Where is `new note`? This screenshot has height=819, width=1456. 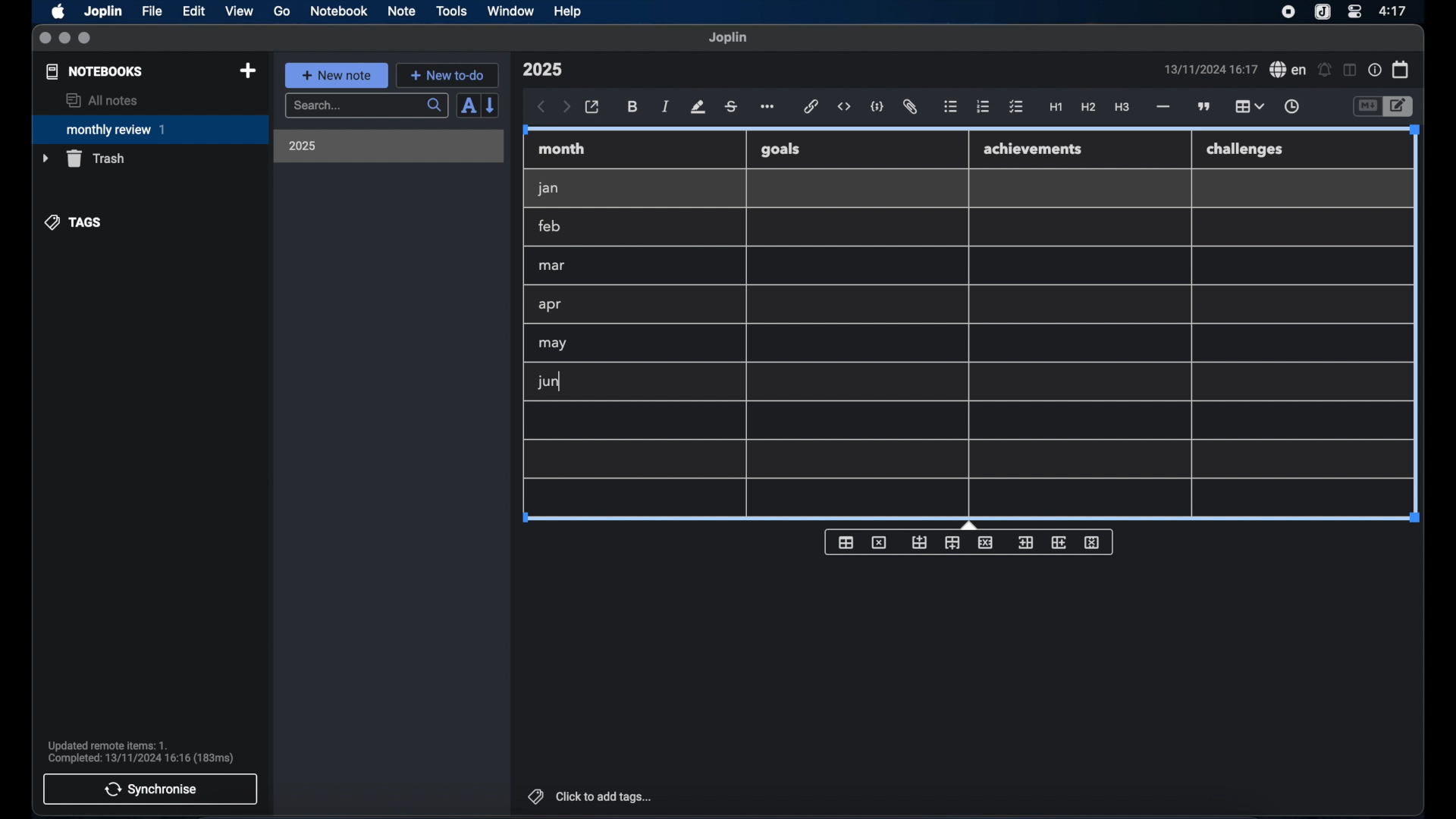
new note is located at coordinates (336, 75).